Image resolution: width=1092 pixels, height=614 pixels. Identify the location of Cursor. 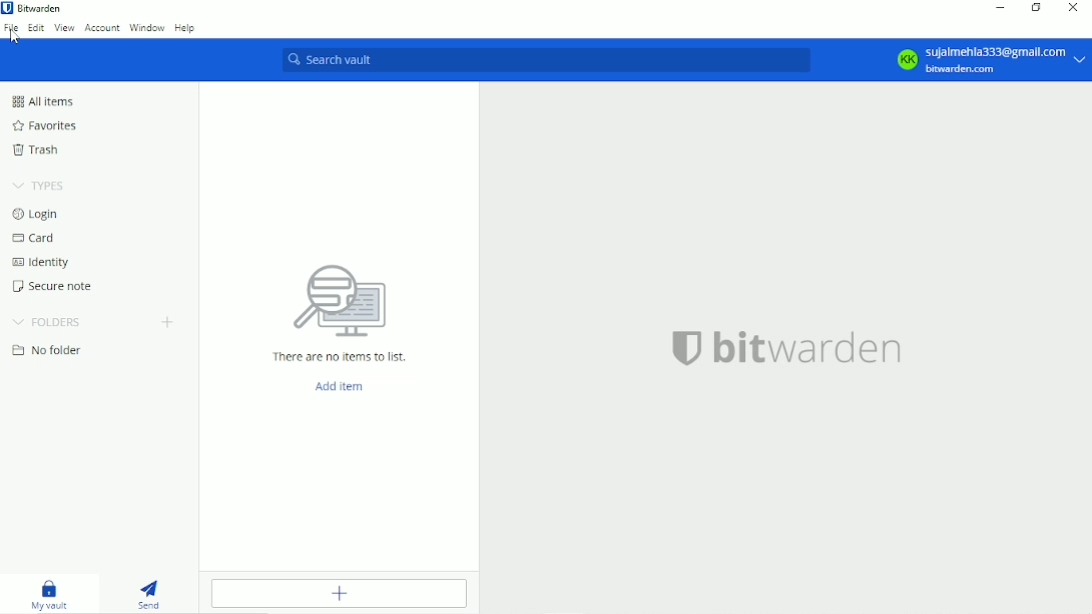
(13, 36).